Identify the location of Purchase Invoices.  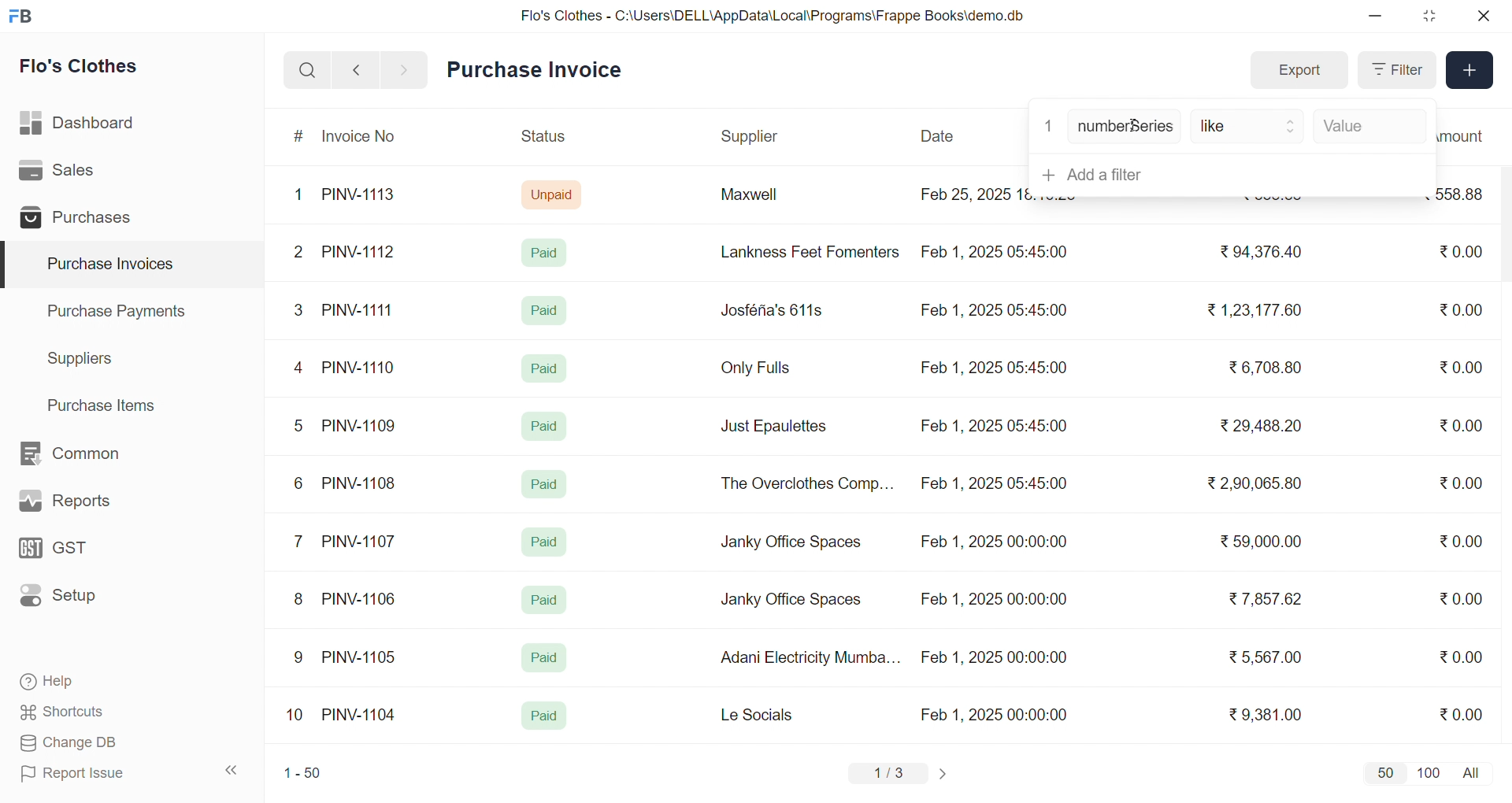
(108, 265).